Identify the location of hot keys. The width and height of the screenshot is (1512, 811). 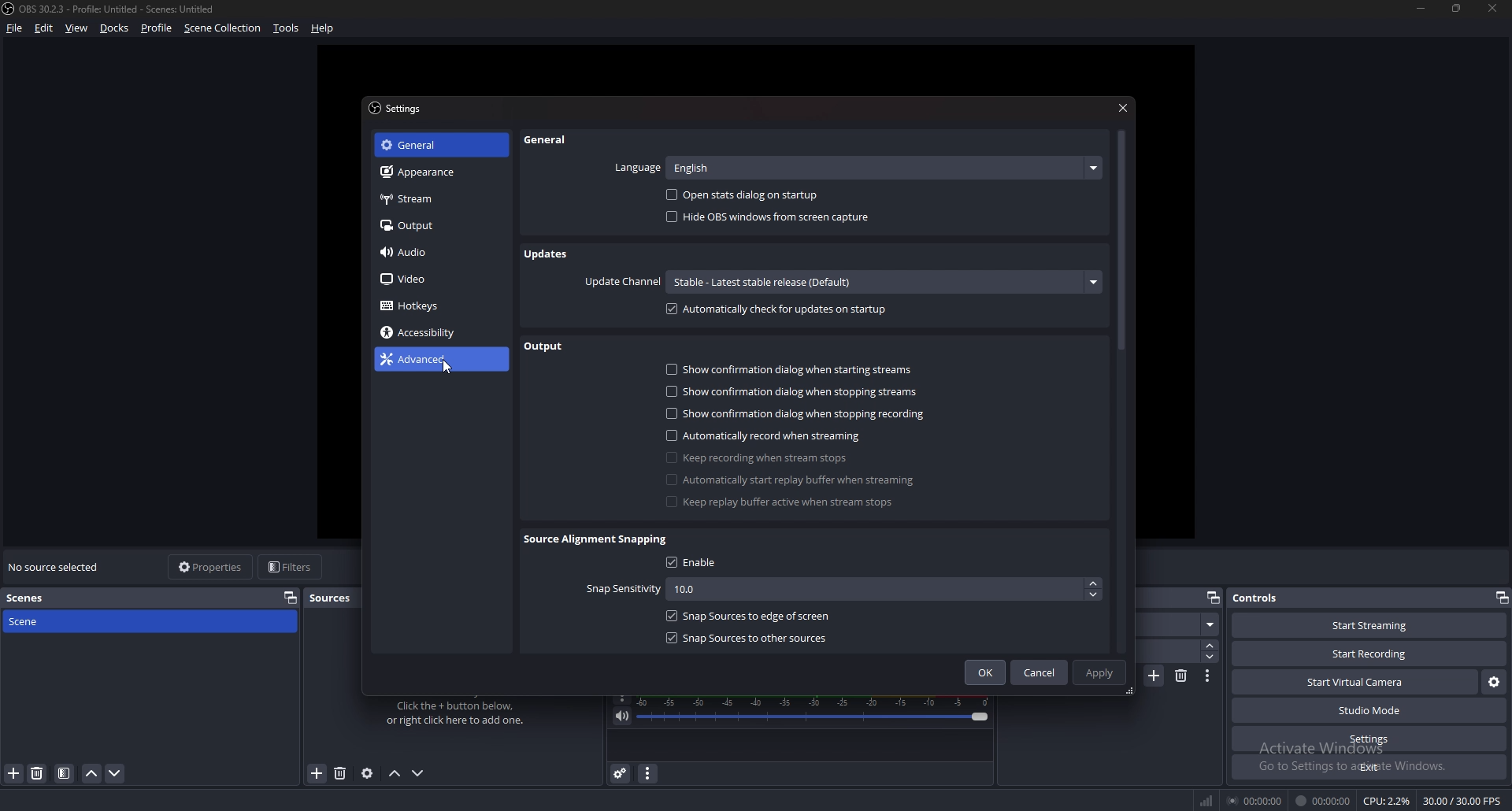
(421, 306).